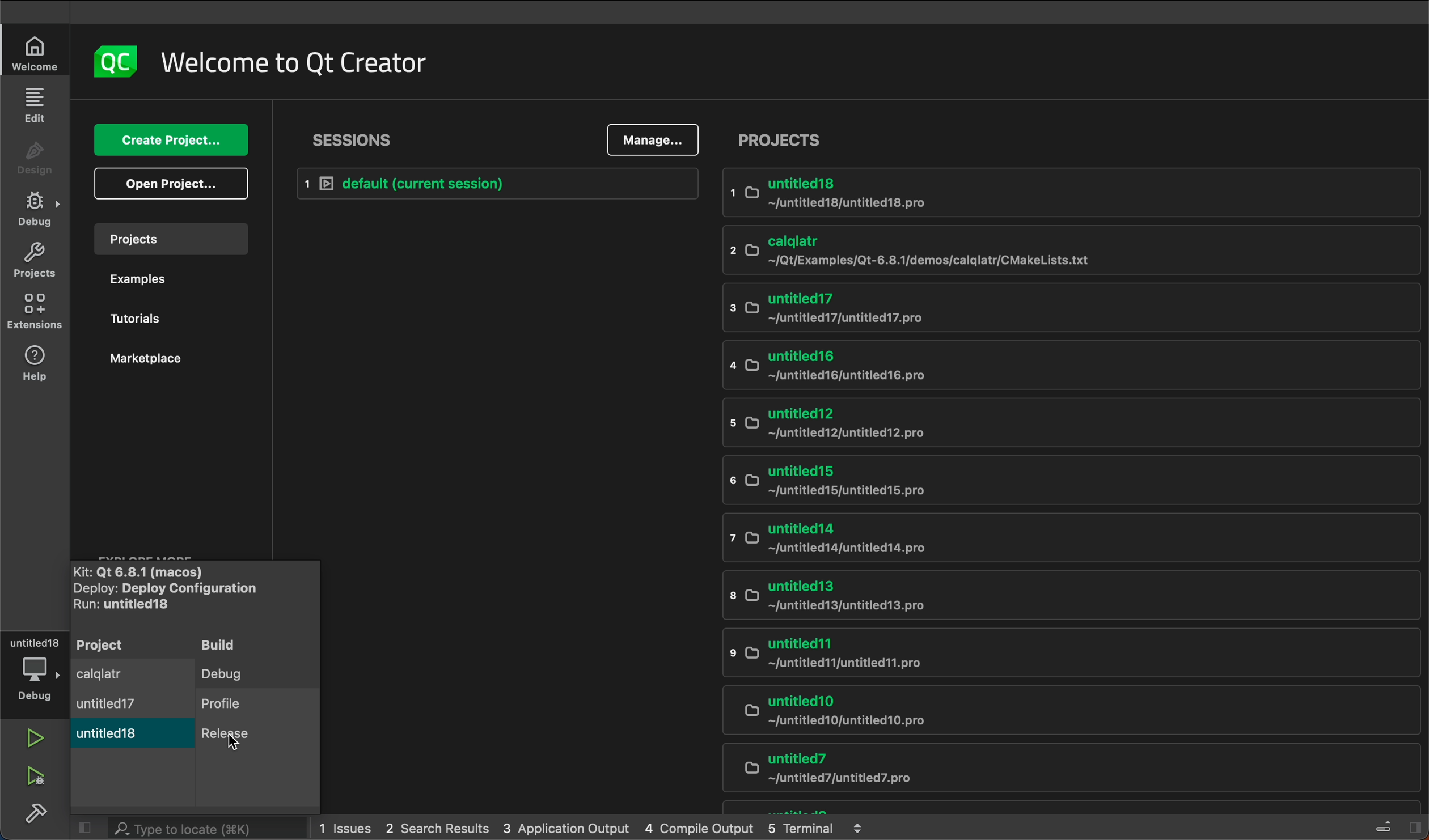  I want to click on run and debug, so click(40, 777).